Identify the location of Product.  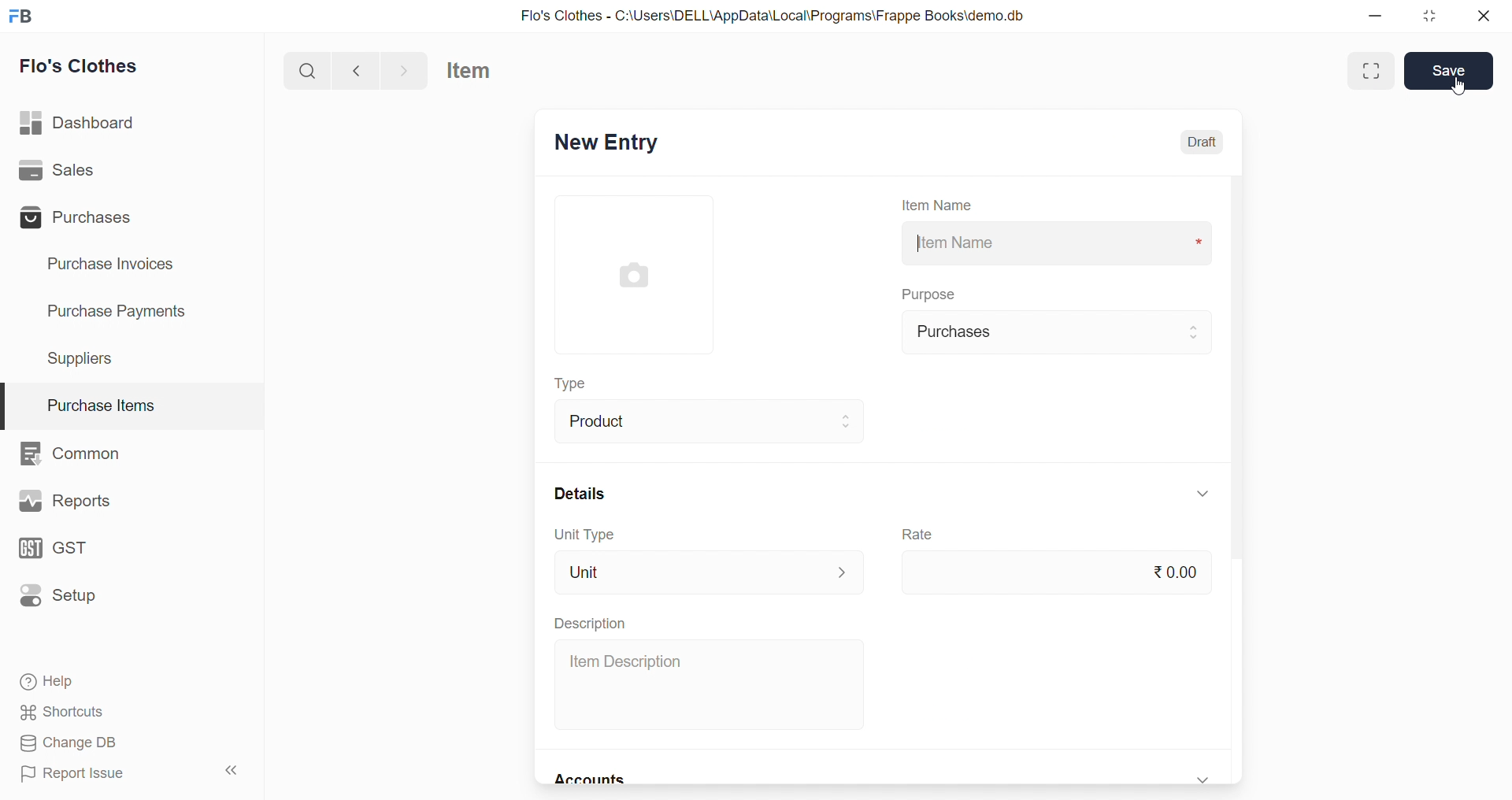
(713, 420).